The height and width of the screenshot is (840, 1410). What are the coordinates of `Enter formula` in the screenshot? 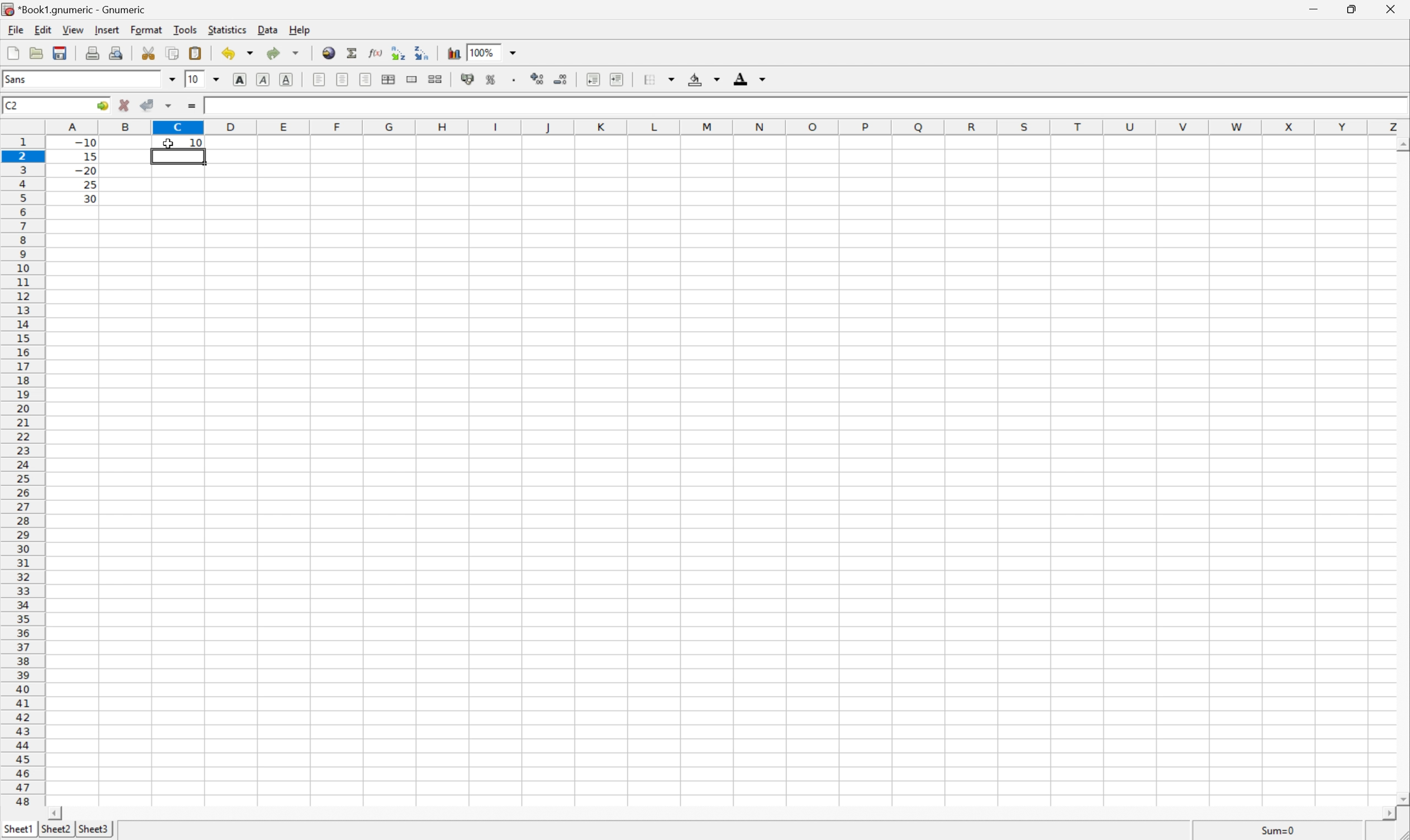 It's located at (194, 107).